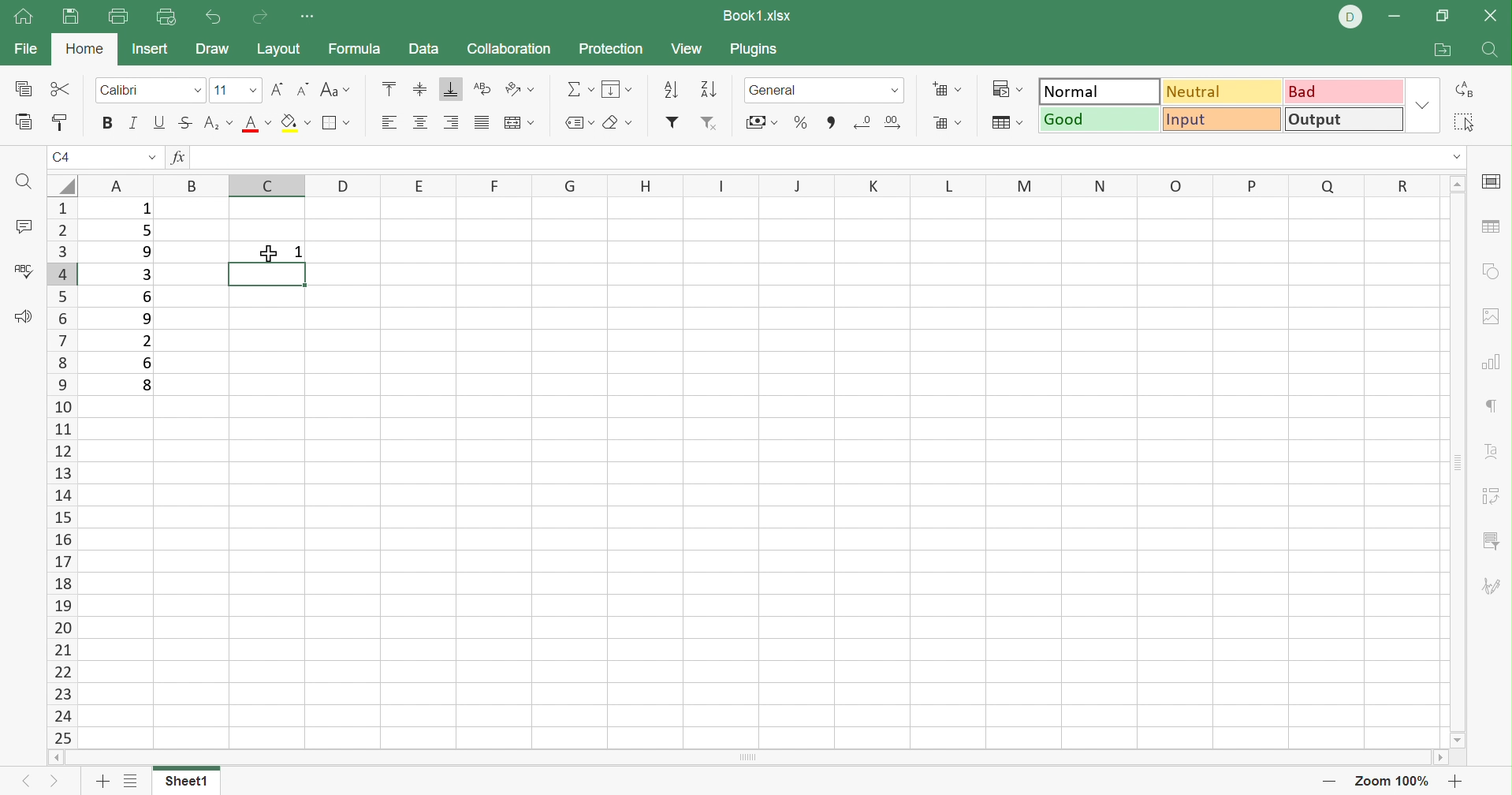 This screenshot has width=1512, height=795. What do you see at coordinates (257, 17) in the screenshot?
I see `Redo` at bounding box center [257, 17].